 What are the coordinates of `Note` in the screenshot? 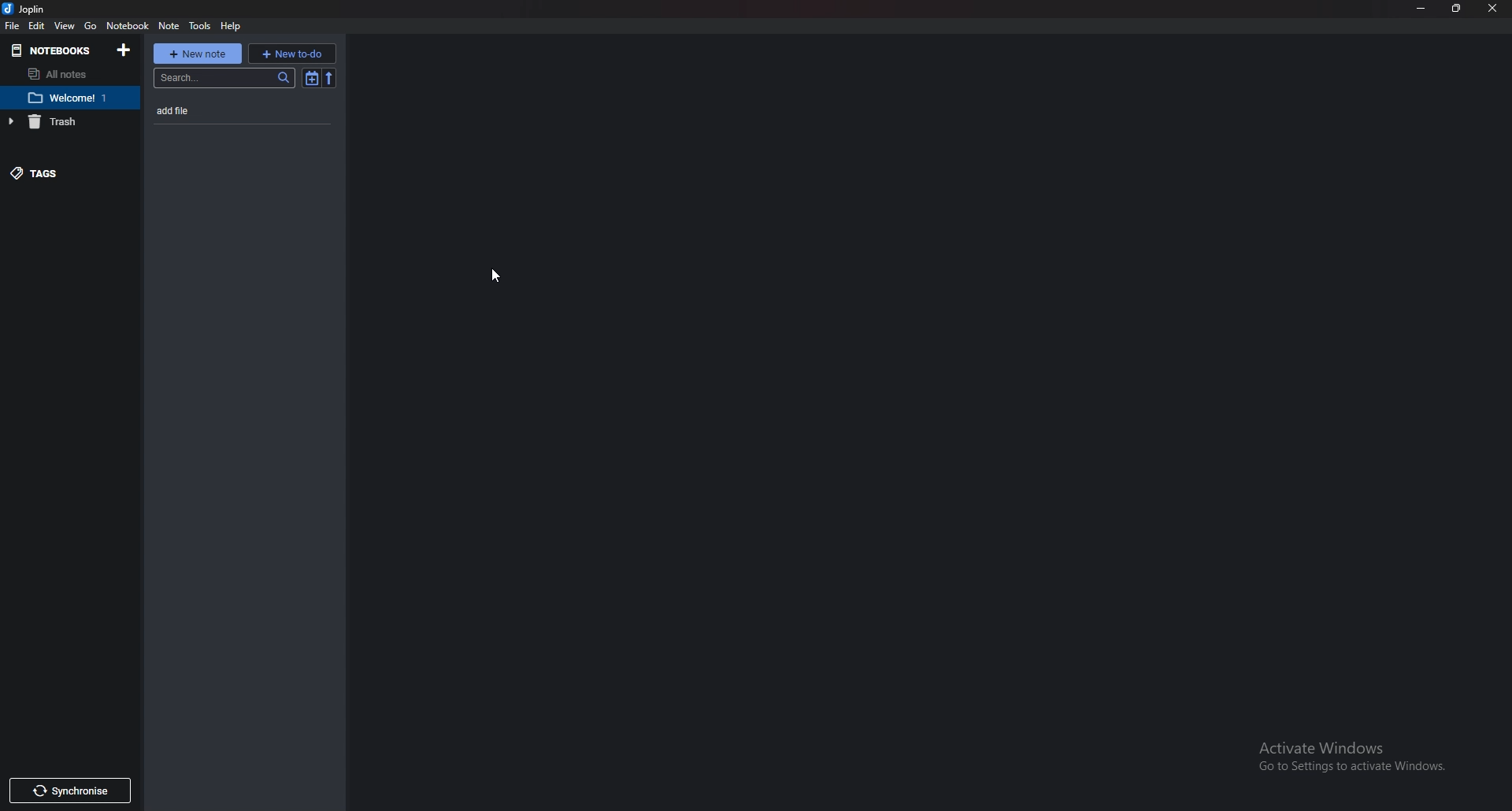 It's located at (226, 110).